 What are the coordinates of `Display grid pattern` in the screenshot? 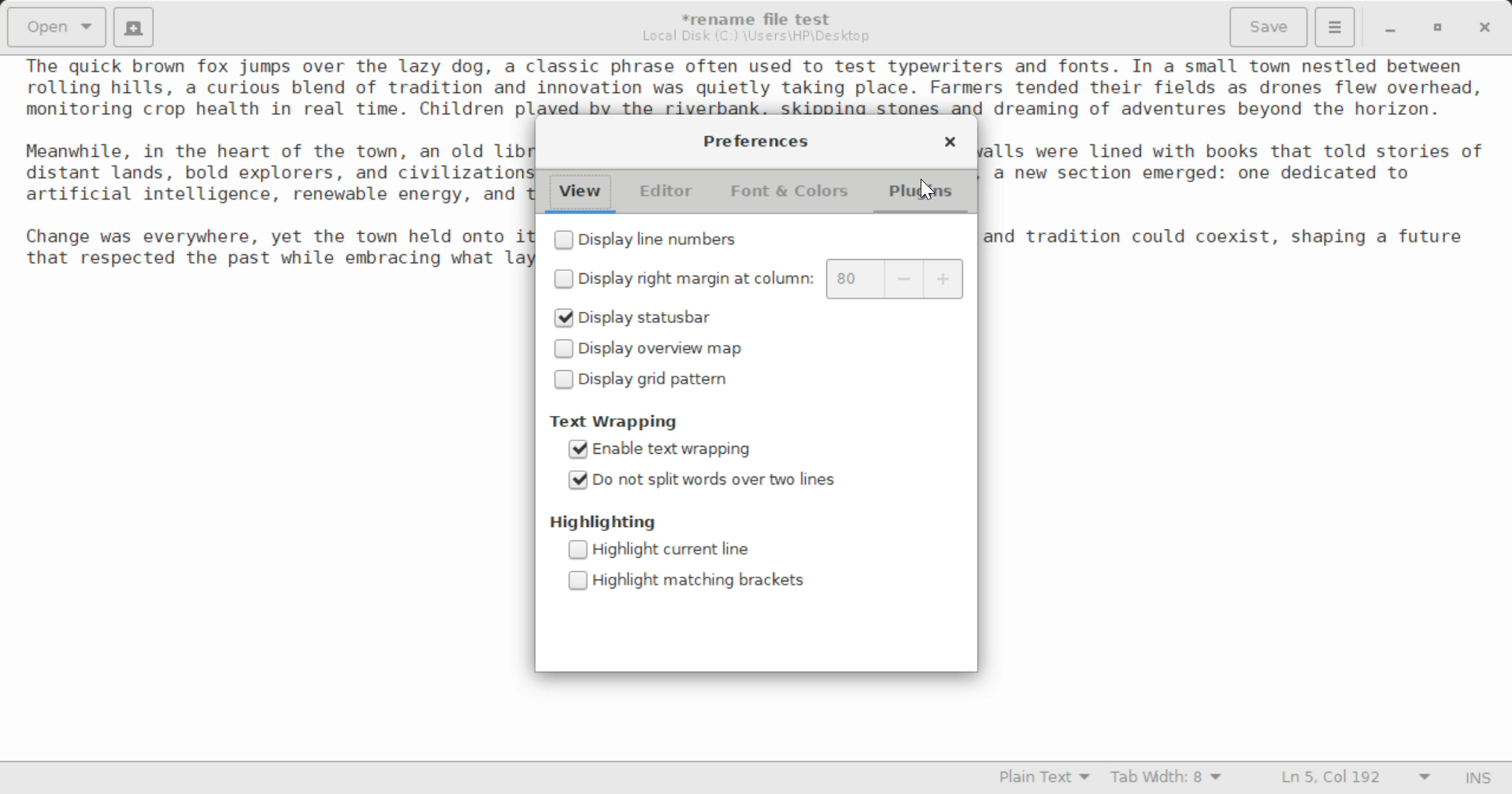 It's located at (644, 382).